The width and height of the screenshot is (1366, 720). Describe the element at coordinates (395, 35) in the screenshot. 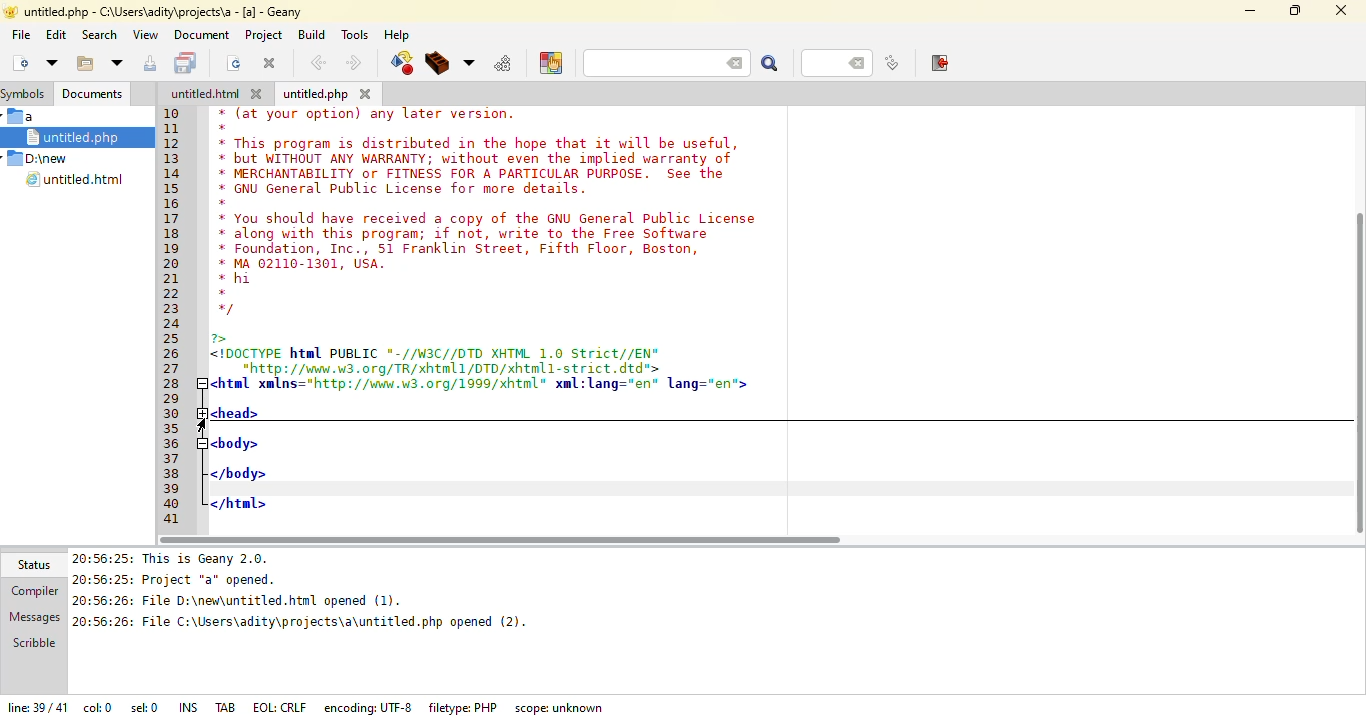

I see `help` at that location.